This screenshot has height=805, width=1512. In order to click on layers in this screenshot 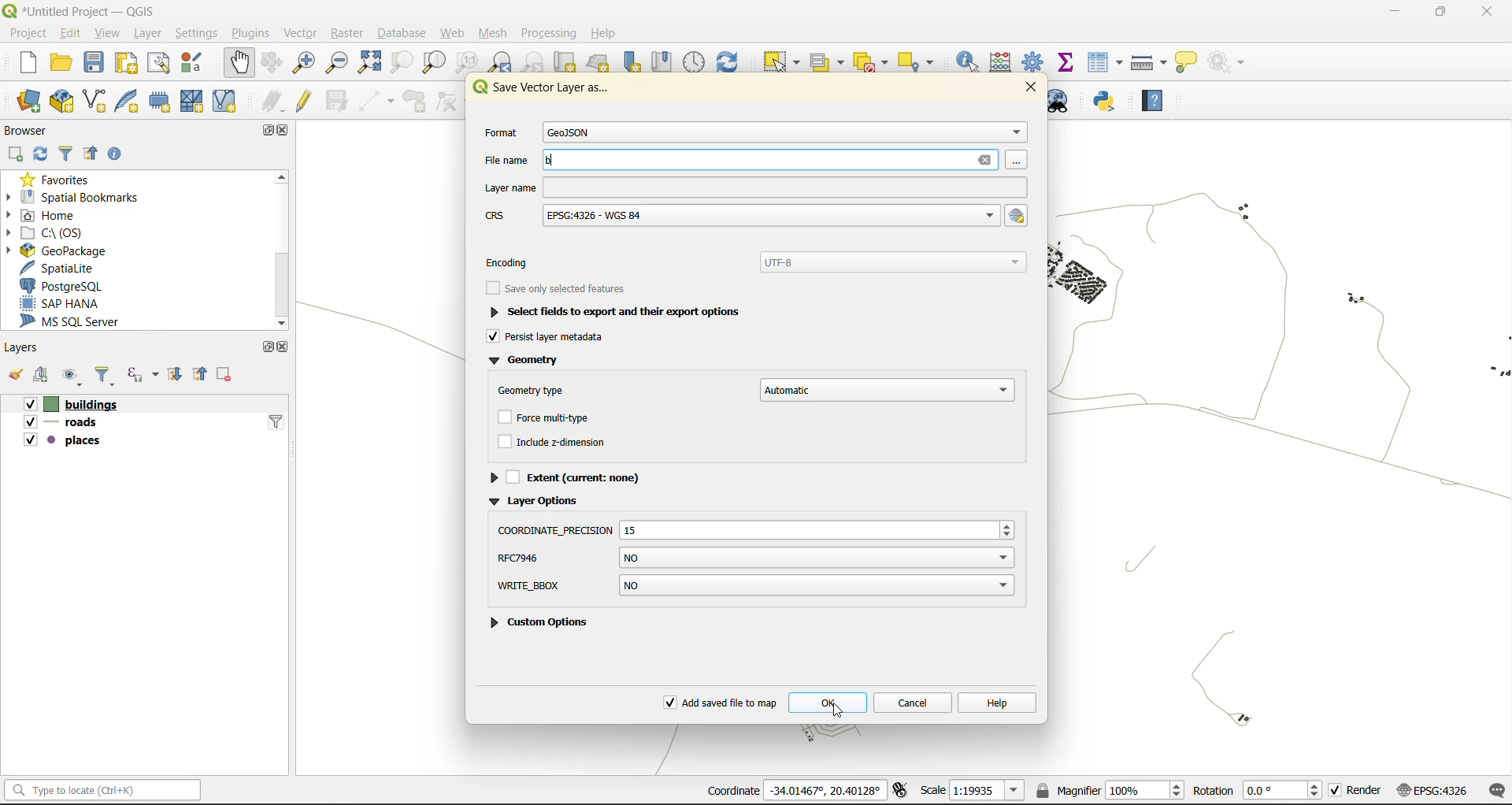, I will do `click(22, 347)`.